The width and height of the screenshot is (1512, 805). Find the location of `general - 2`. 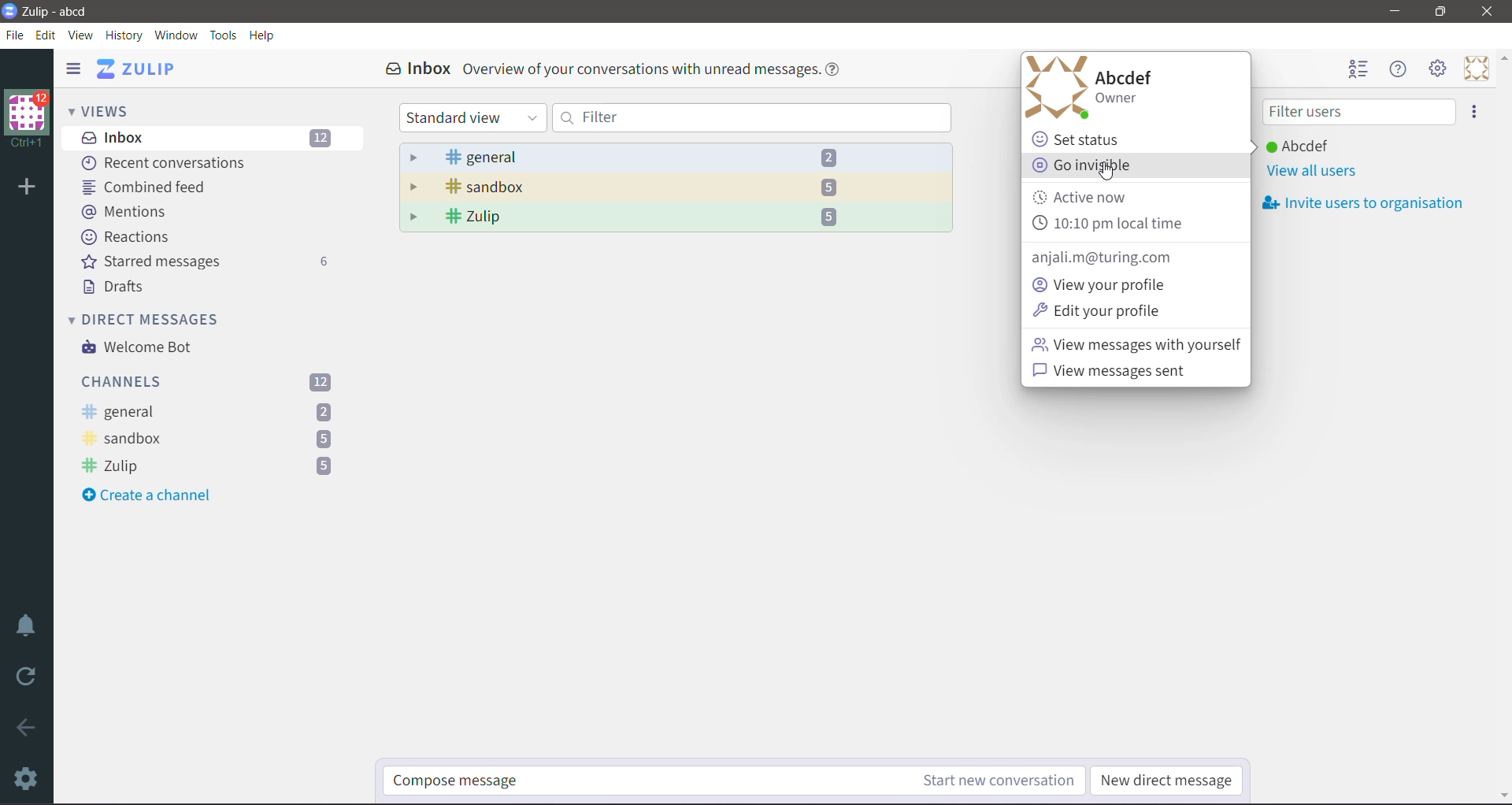

general - 2 is located at coordinates (676, 157).